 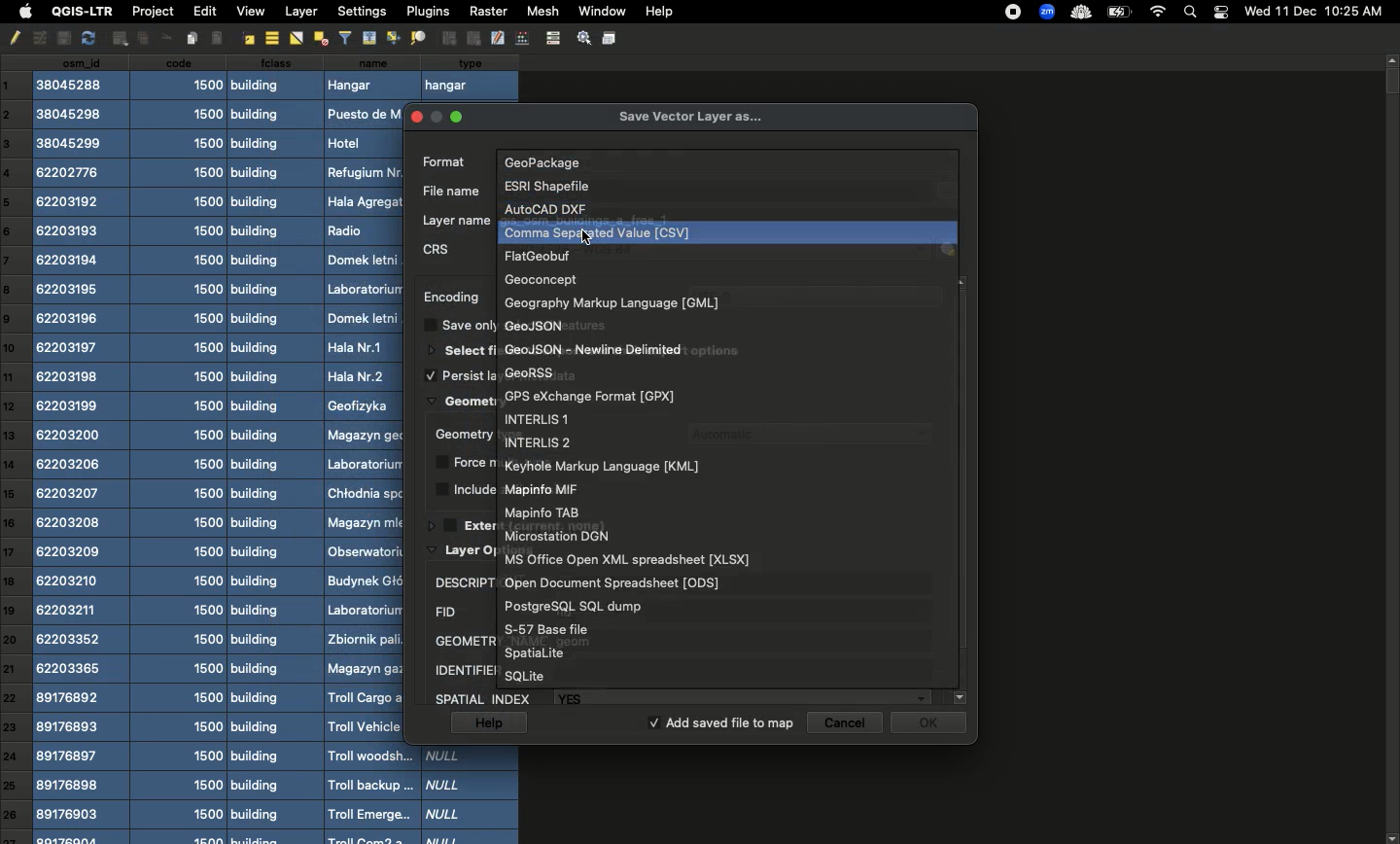 What do you see at coordinates (416, 38) in the screenshot?
I see `Distribute Objects Evenly` at bounding box center [416, 38].